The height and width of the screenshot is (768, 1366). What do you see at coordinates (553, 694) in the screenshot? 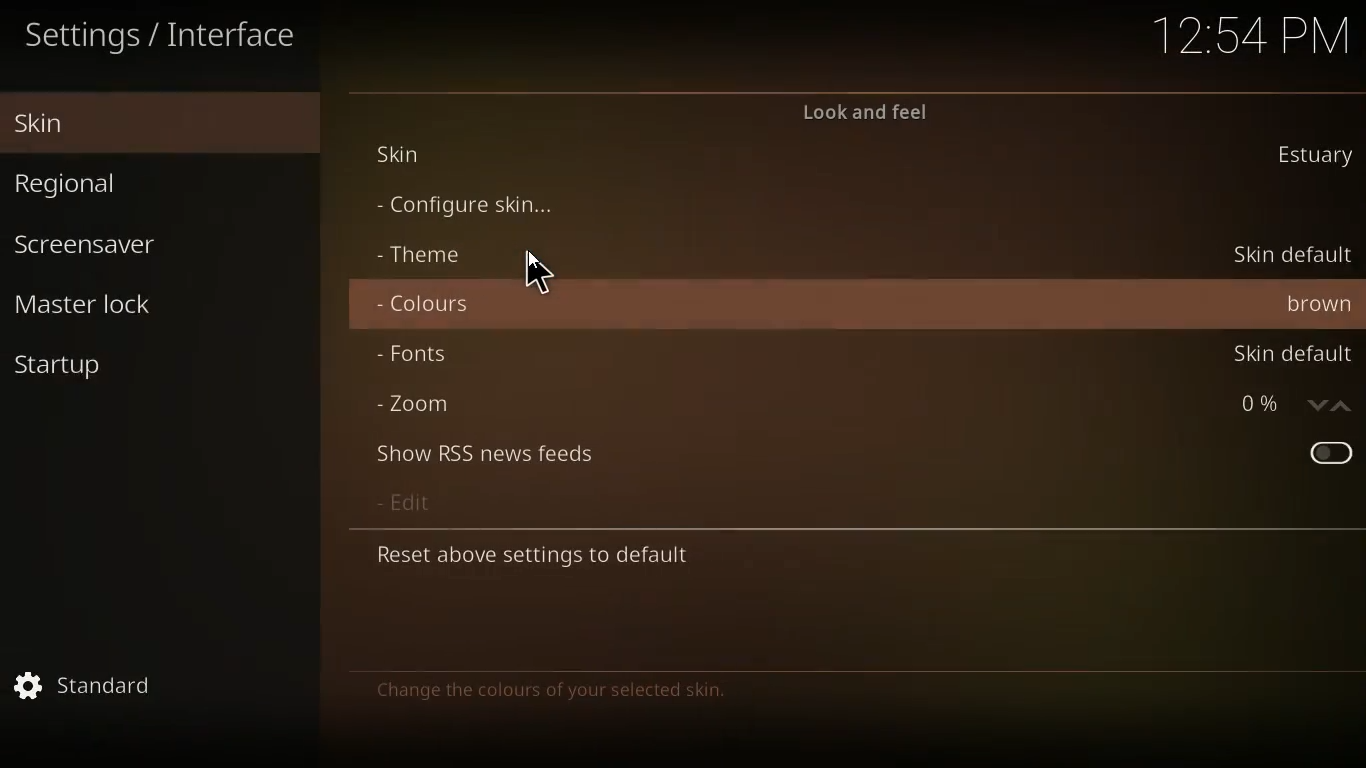
I see `Change the colours of your selected skin.` at bounding box center [553, 694].